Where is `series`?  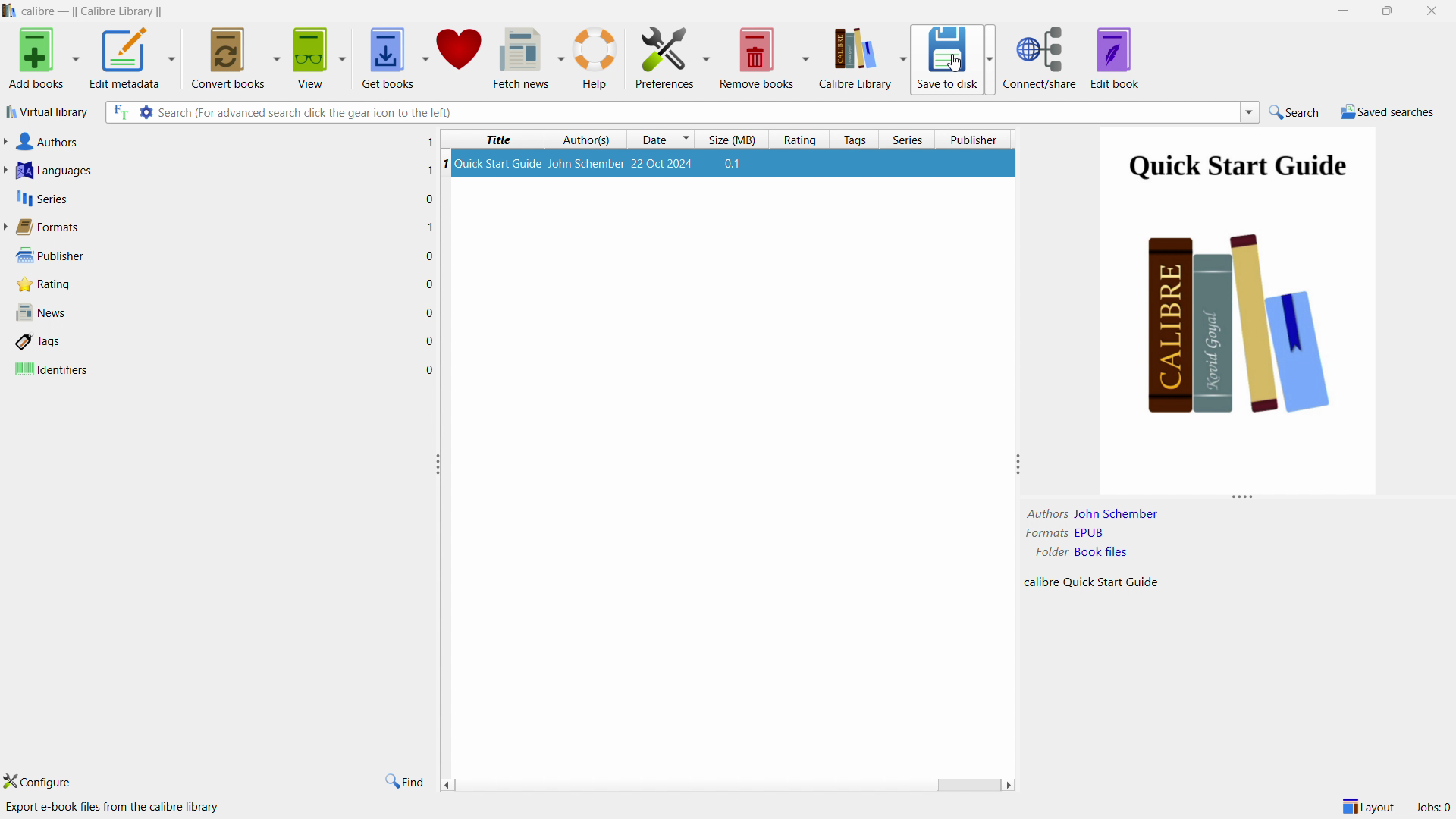 series is located at coordinates (907, 139).